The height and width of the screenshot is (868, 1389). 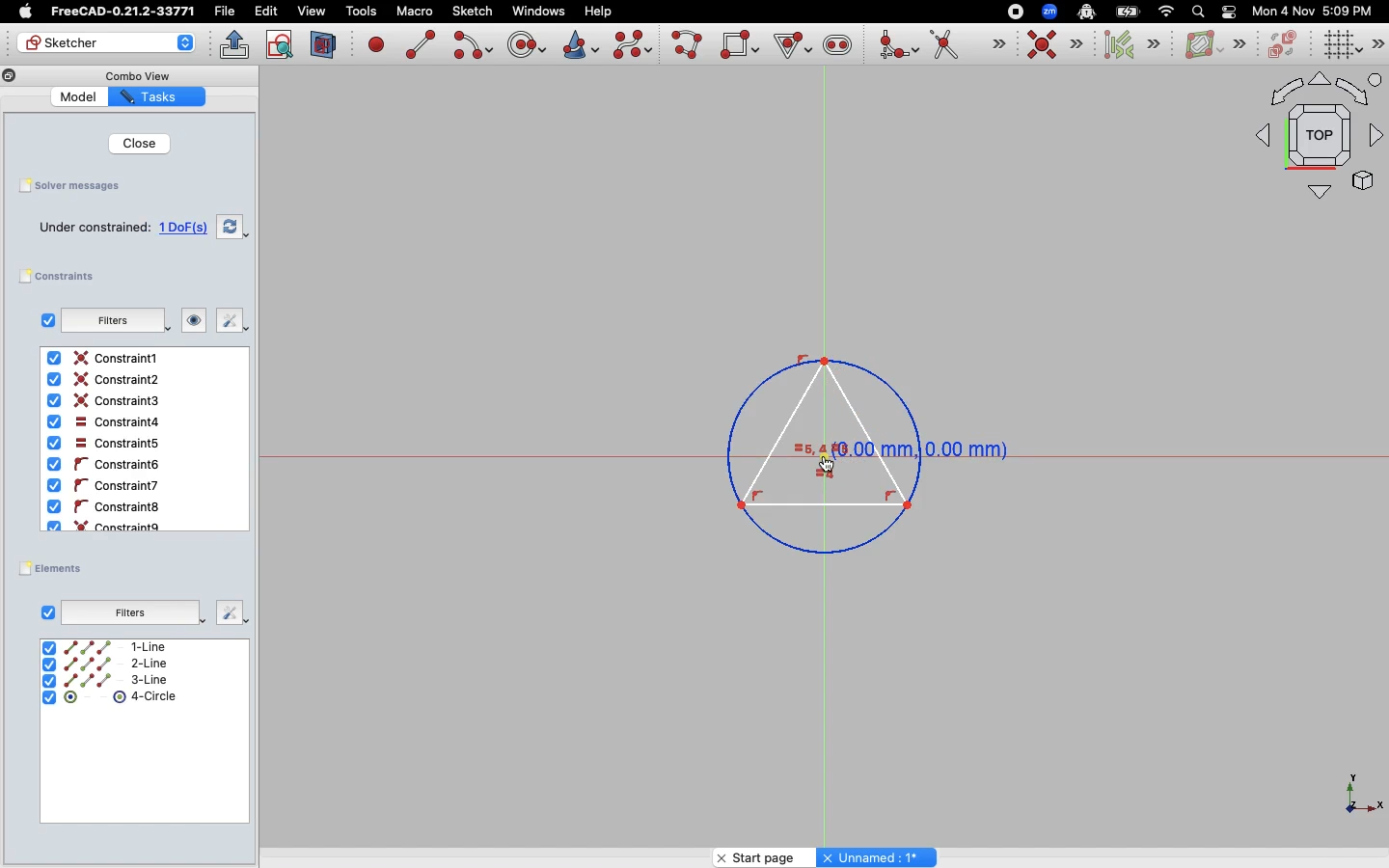 I want to click on Constraint coincident, so click(x=1055, y=45).